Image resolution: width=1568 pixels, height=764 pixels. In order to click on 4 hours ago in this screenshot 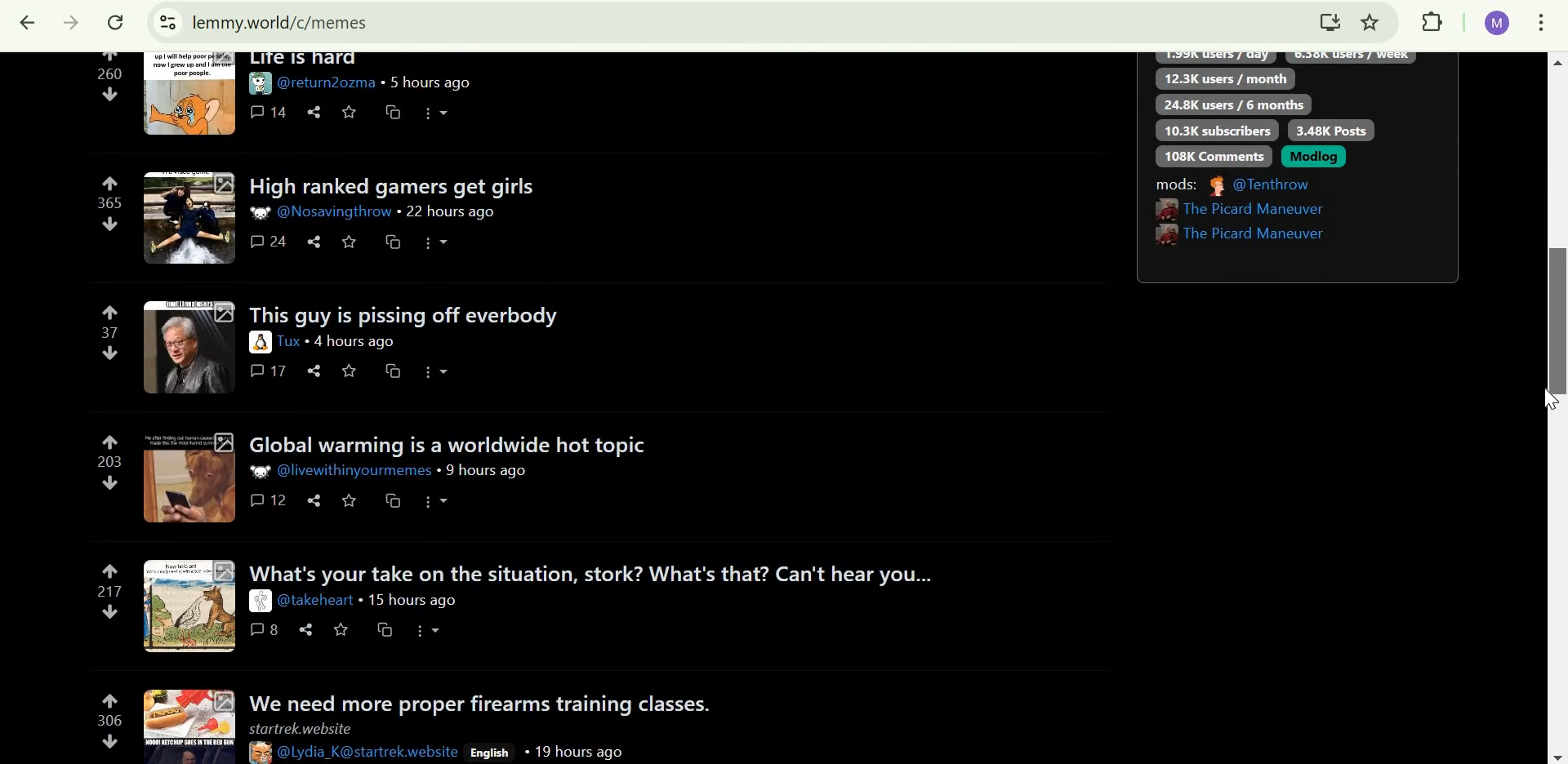, I will do `click(357, 343)`.